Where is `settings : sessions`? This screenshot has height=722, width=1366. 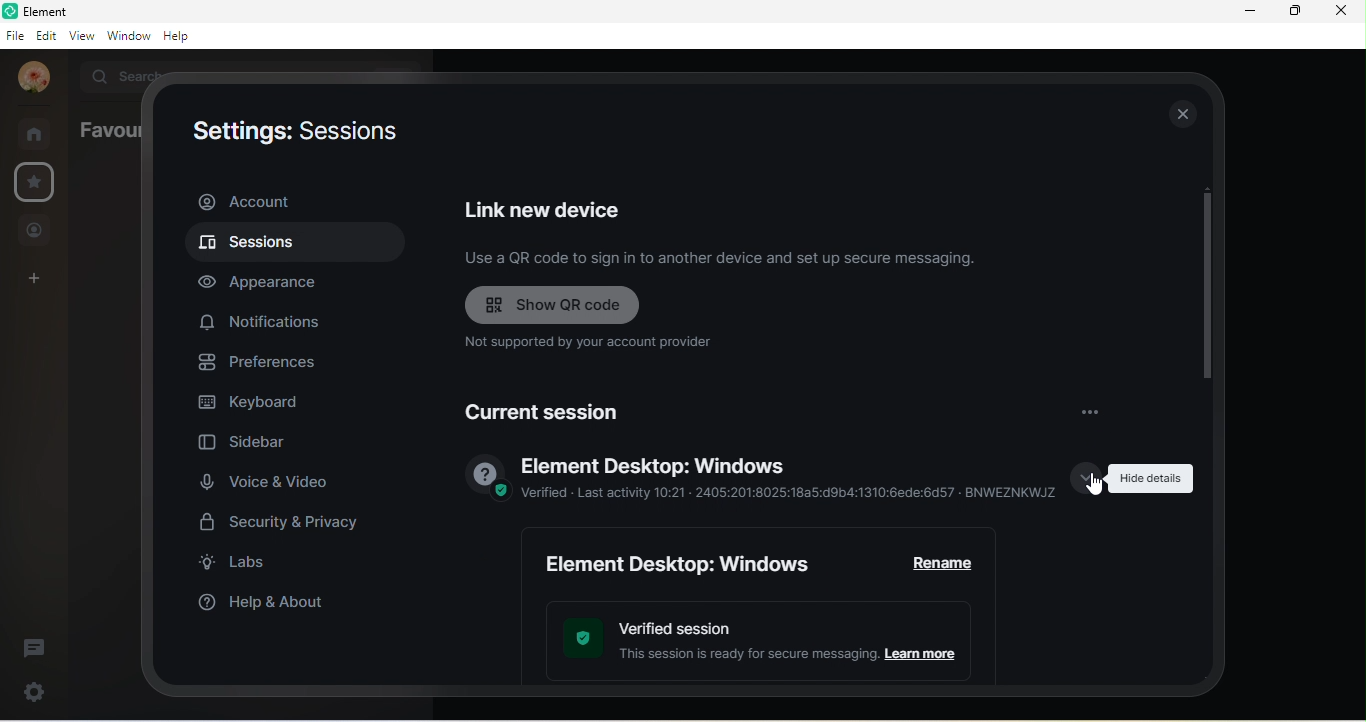
settings : sessions is located at coordinates (292, 134).